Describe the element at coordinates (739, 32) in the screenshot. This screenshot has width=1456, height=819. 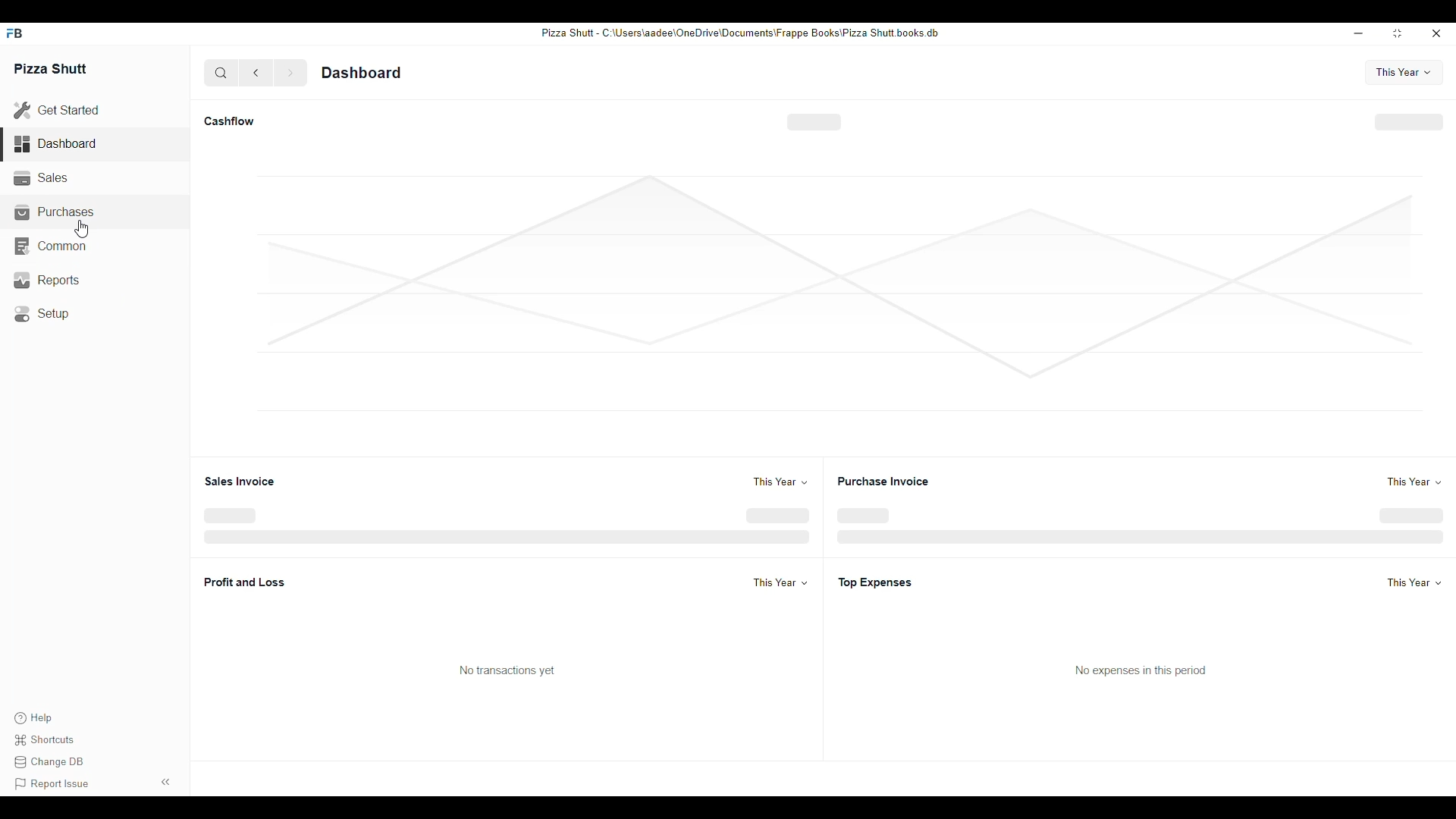
I see `Pizza Shut - C:\Users\aadee\OneDrive\Documents\Frappe Books\Pizza Shutt books. db` at that location.